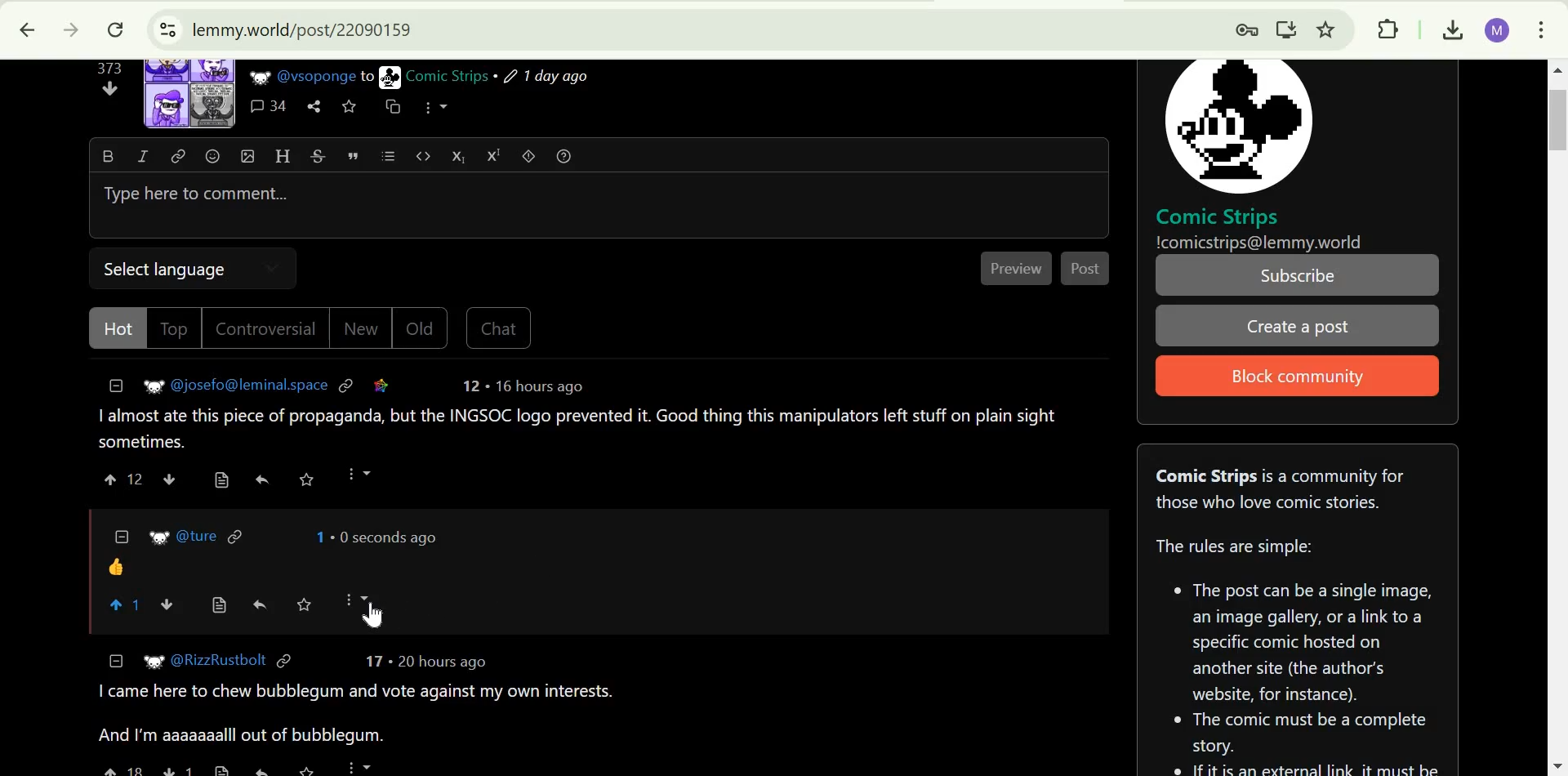 The width and height of the screenshot is (1568, 776). What do you see at coordinates (440, 662) in the screenshot?
I see `20 hours ago` at bounding box center [440, 662].